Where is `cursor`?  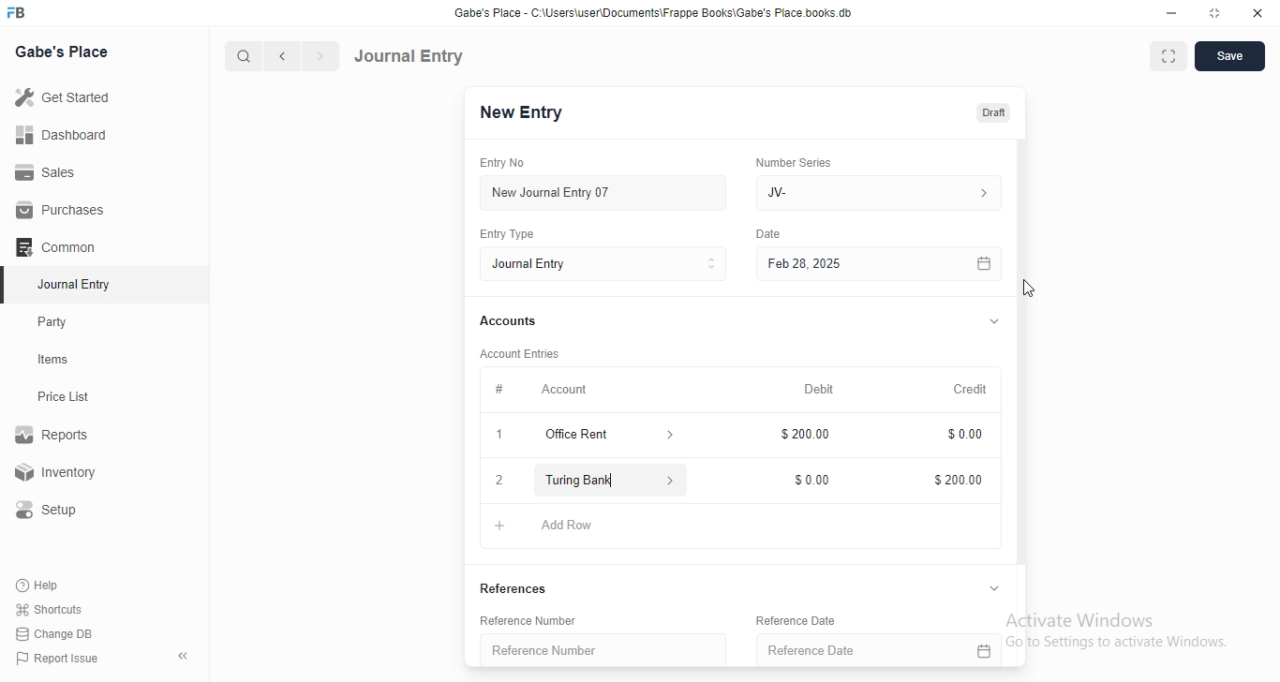
cursor is located at coordinates (1037, 287).